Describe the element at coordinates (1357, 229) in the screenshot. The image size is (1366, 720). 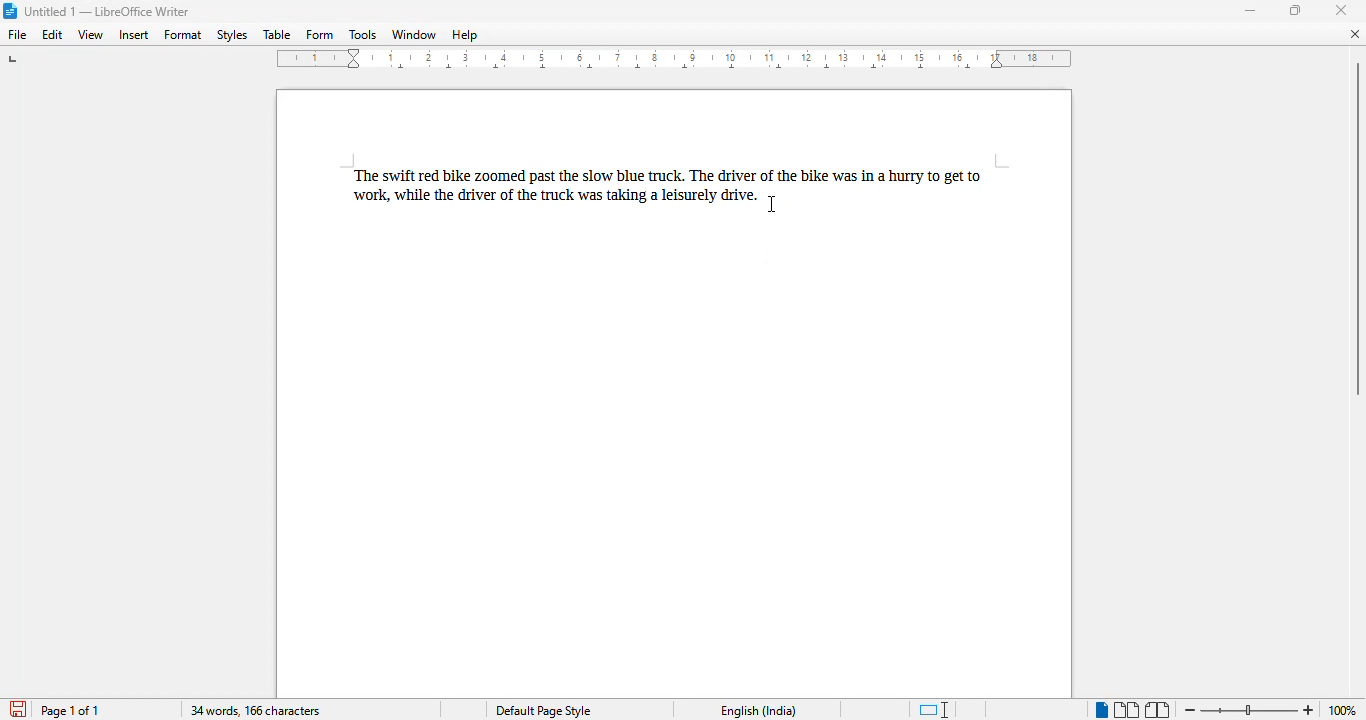
I see `vertical scroll bar` at that location.